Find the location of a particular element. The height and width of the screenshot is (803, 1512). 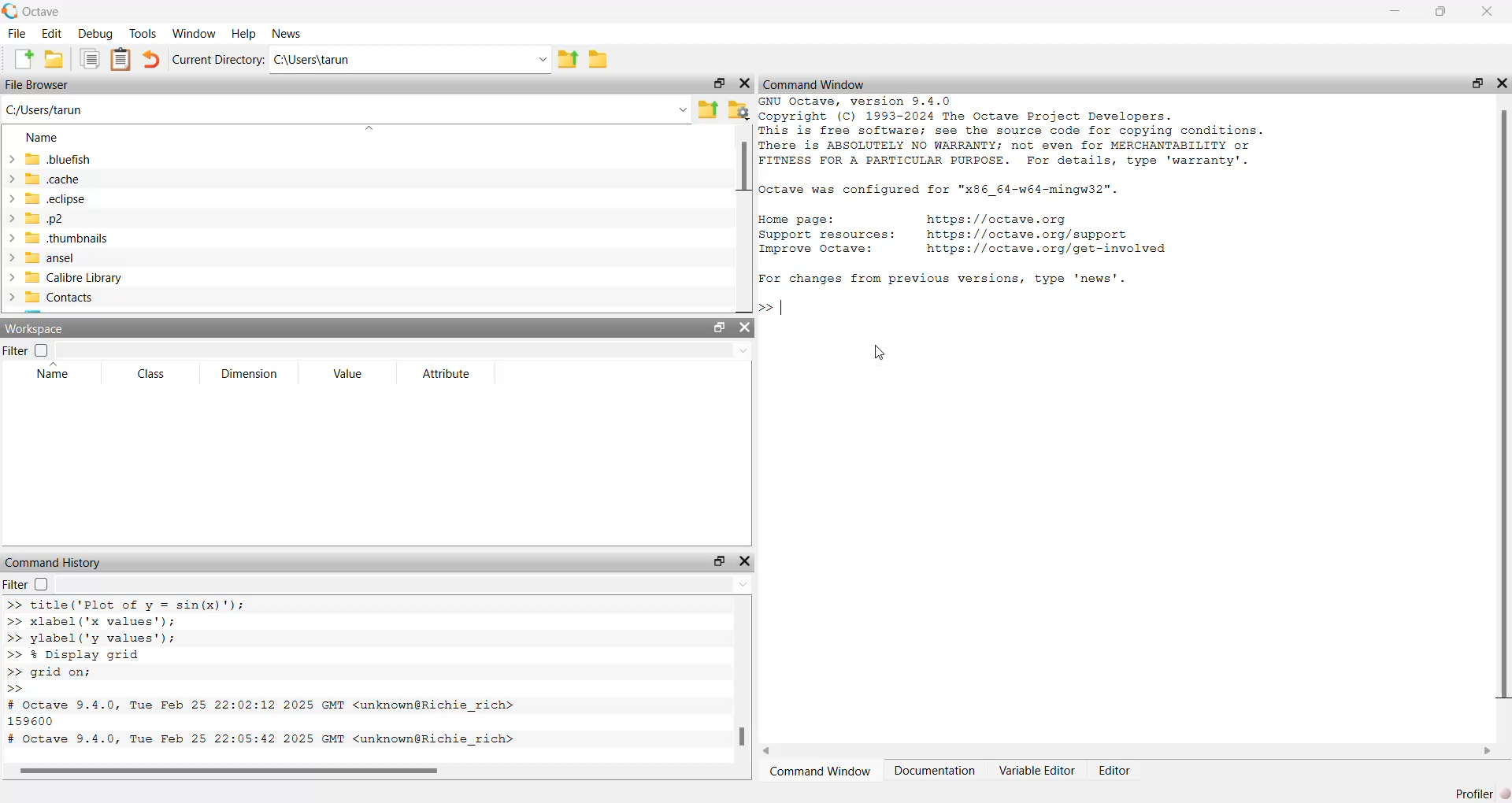

Window is located at coordinates (196, 33).